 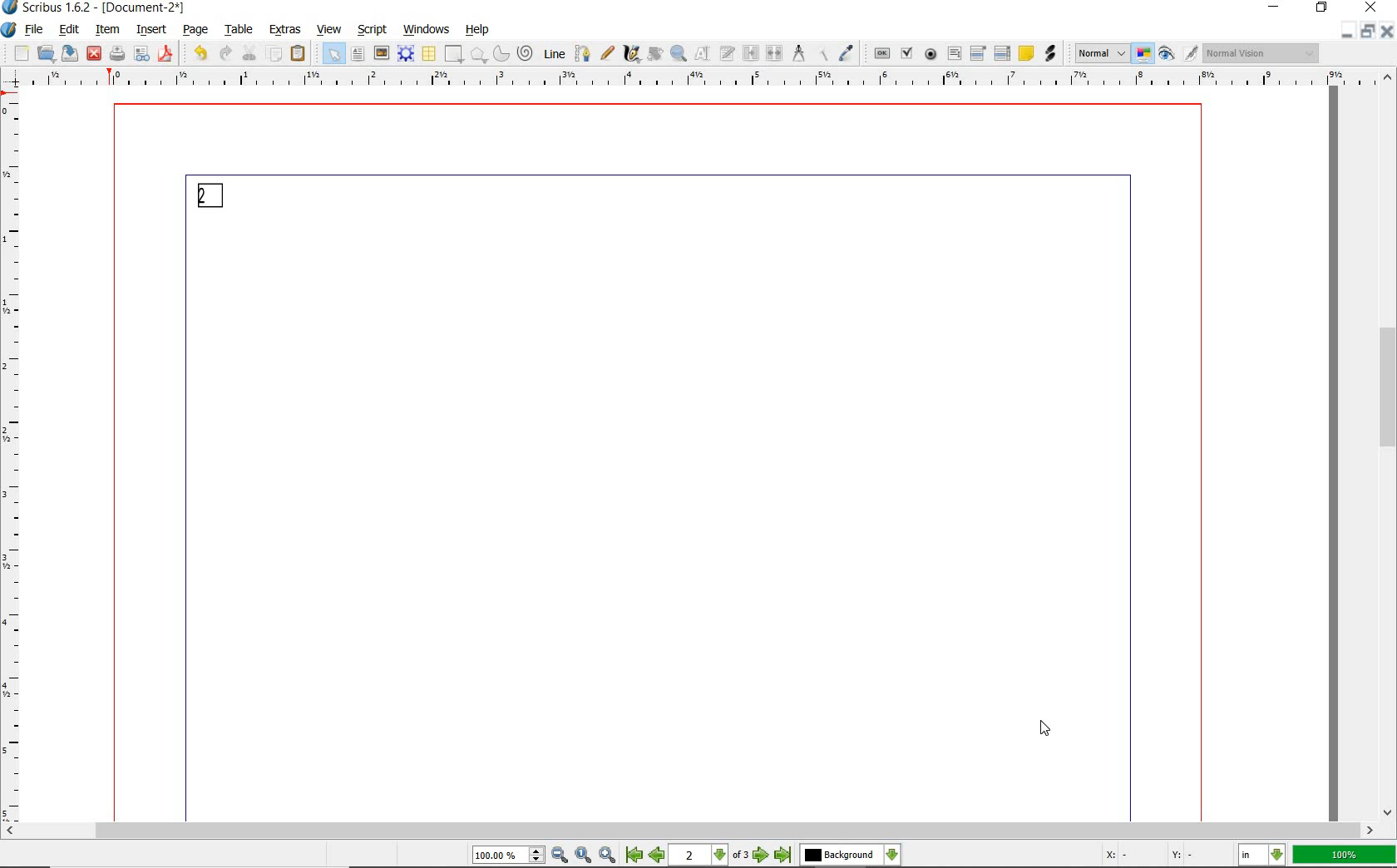 I want to click on freehand line, so click(x=608, y=54).